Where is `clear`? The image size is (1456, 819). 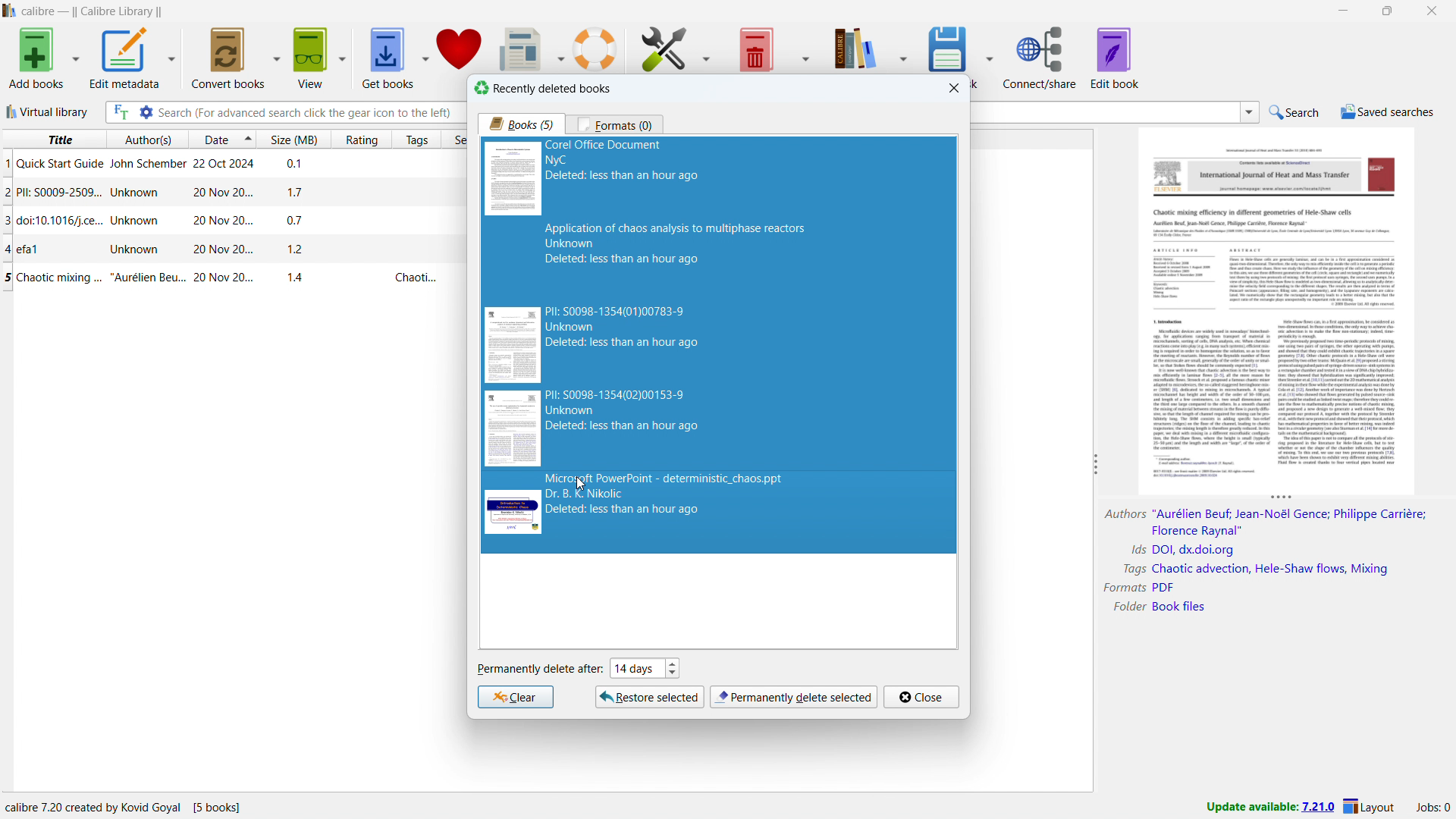 clear is located at coordinates (515, 697).